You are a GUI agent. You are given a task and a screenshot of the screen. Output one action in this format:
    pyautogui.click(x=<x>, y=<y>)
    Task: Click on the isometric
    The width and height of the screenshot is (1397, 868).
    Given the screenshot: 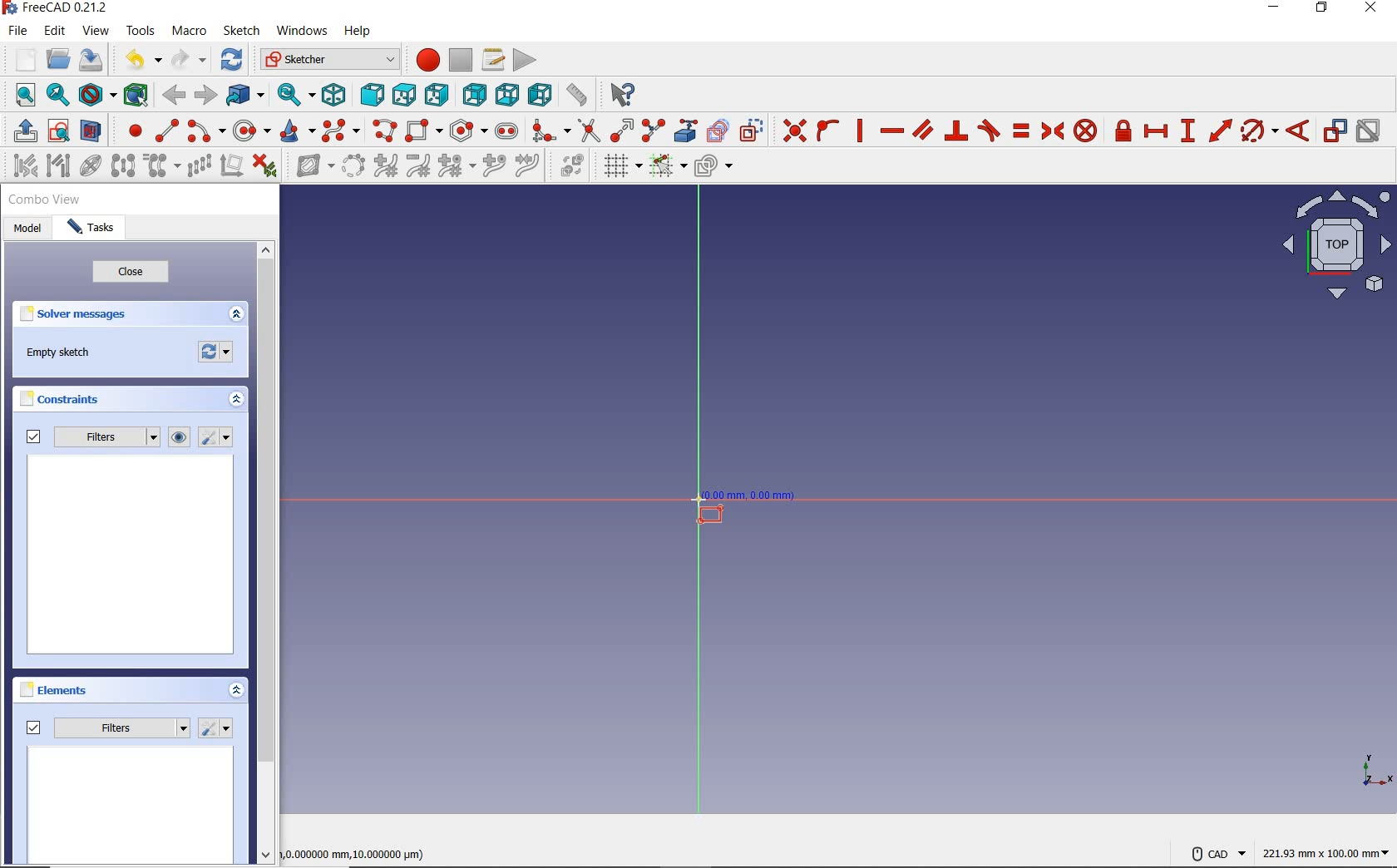 What is the action you would take?
    pyautogui.click(x=333, y=95)
    